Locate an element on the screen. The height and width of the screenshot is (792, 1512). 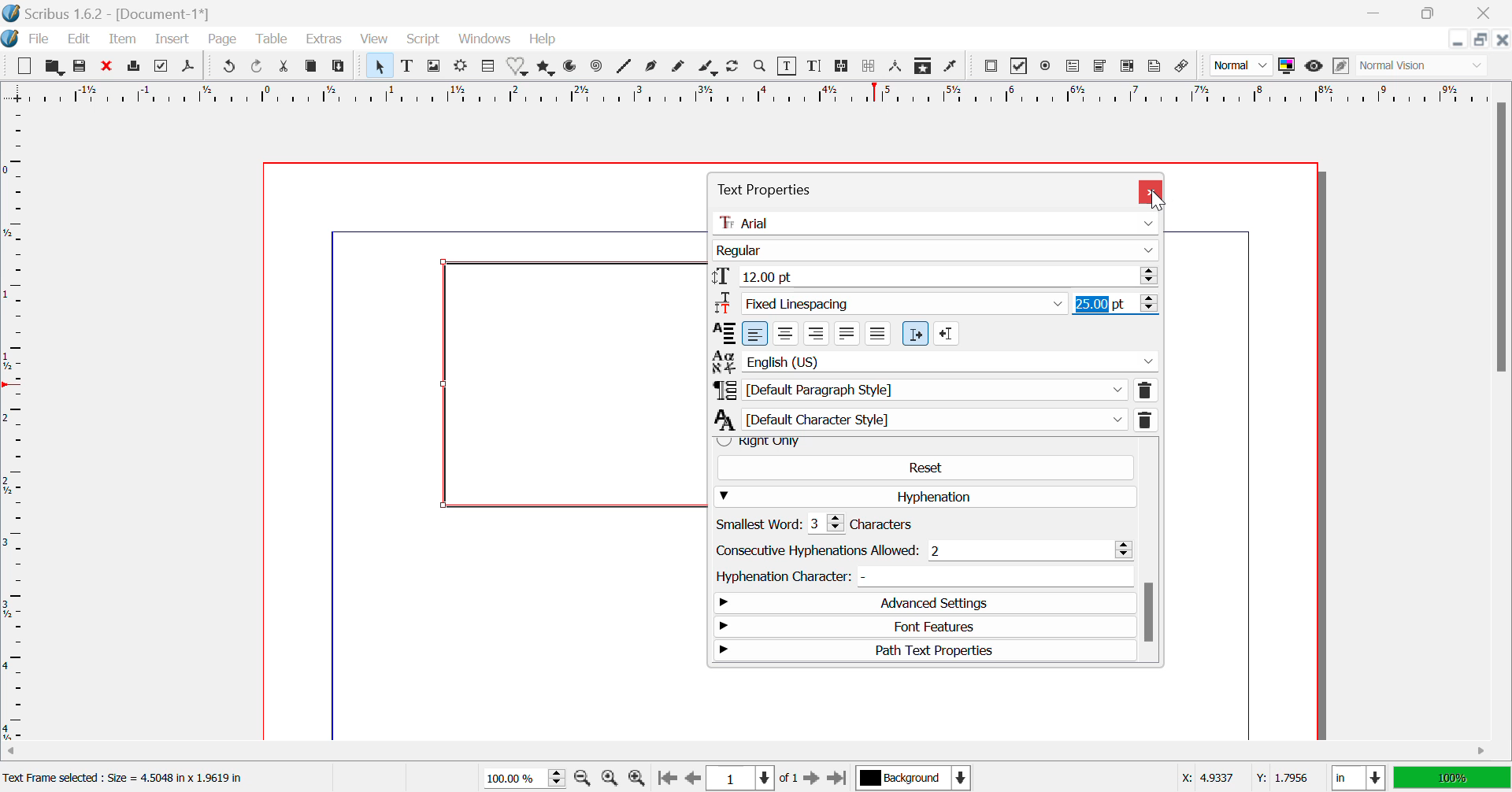
Zoom Out is located at coordinates (584, 779).